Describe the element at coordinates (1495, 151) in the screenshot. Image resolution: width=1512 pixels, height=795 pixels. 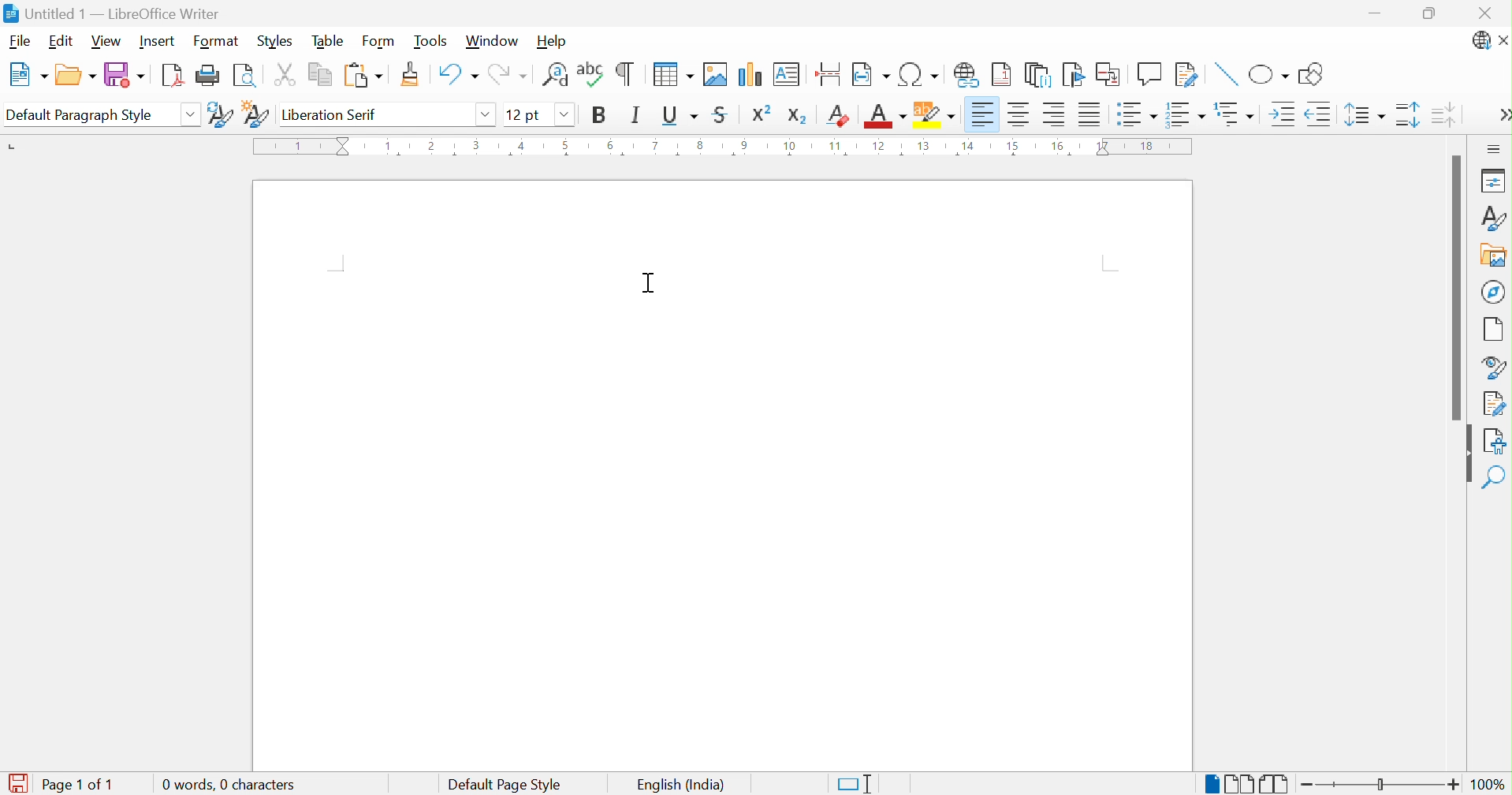
I see `Sidebar settings` at that location.